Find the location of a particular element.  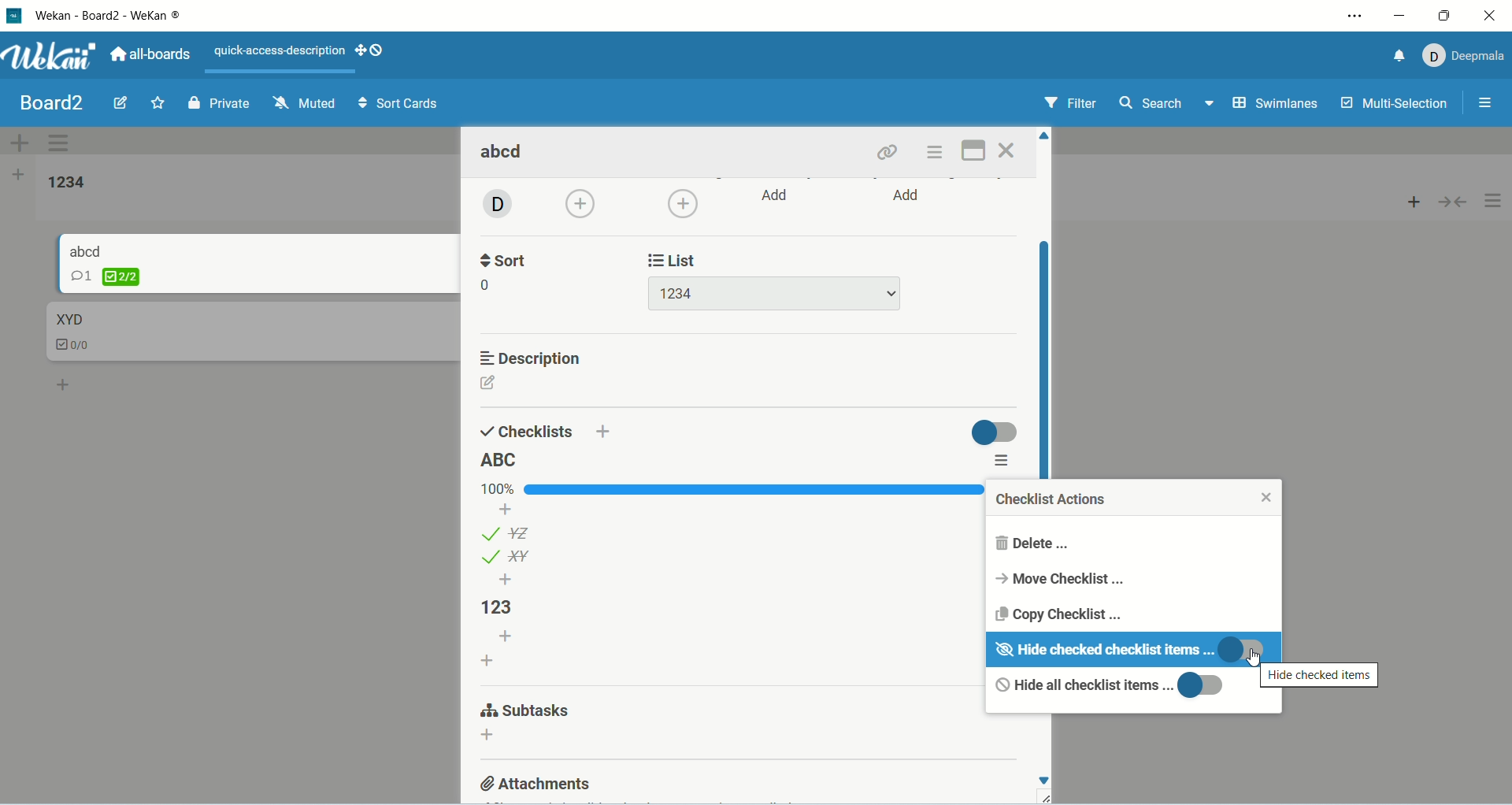

checklist is located at coordinates (80, 347).